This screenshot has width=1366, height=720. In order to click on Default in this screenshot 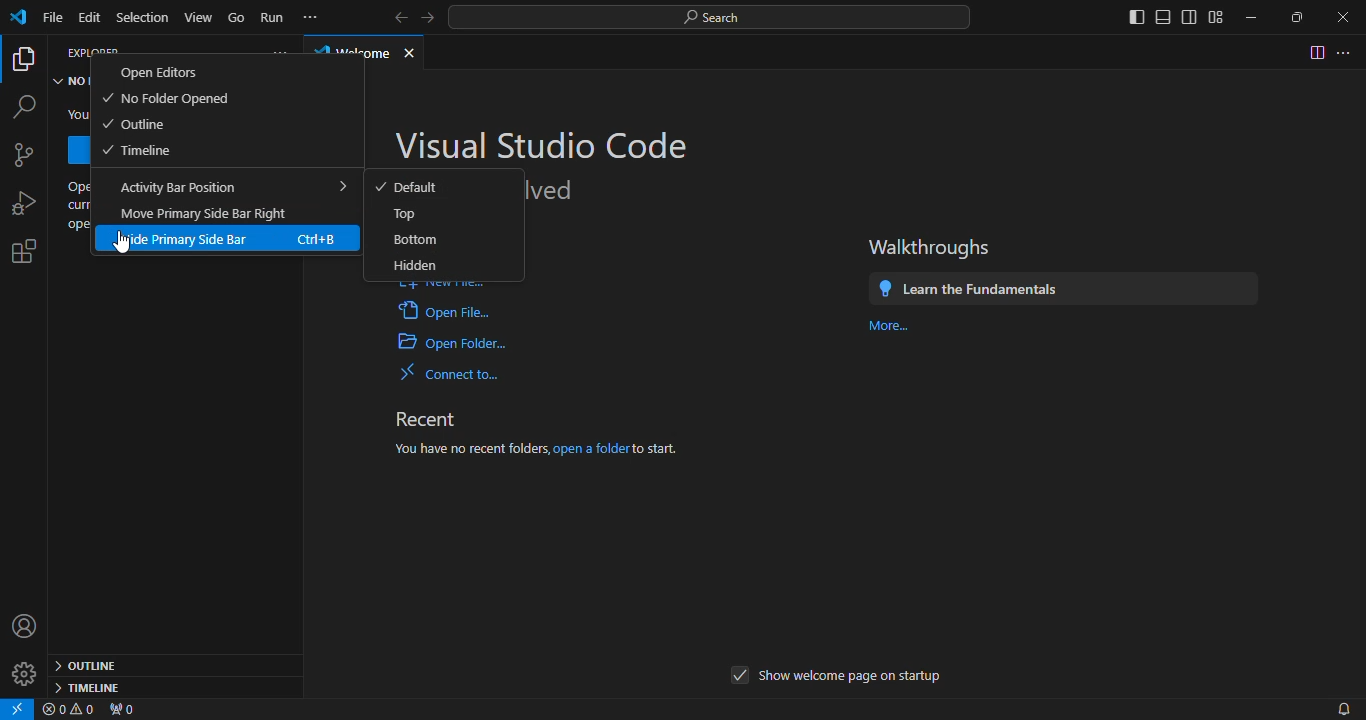, I will do `click(410, 188)`.